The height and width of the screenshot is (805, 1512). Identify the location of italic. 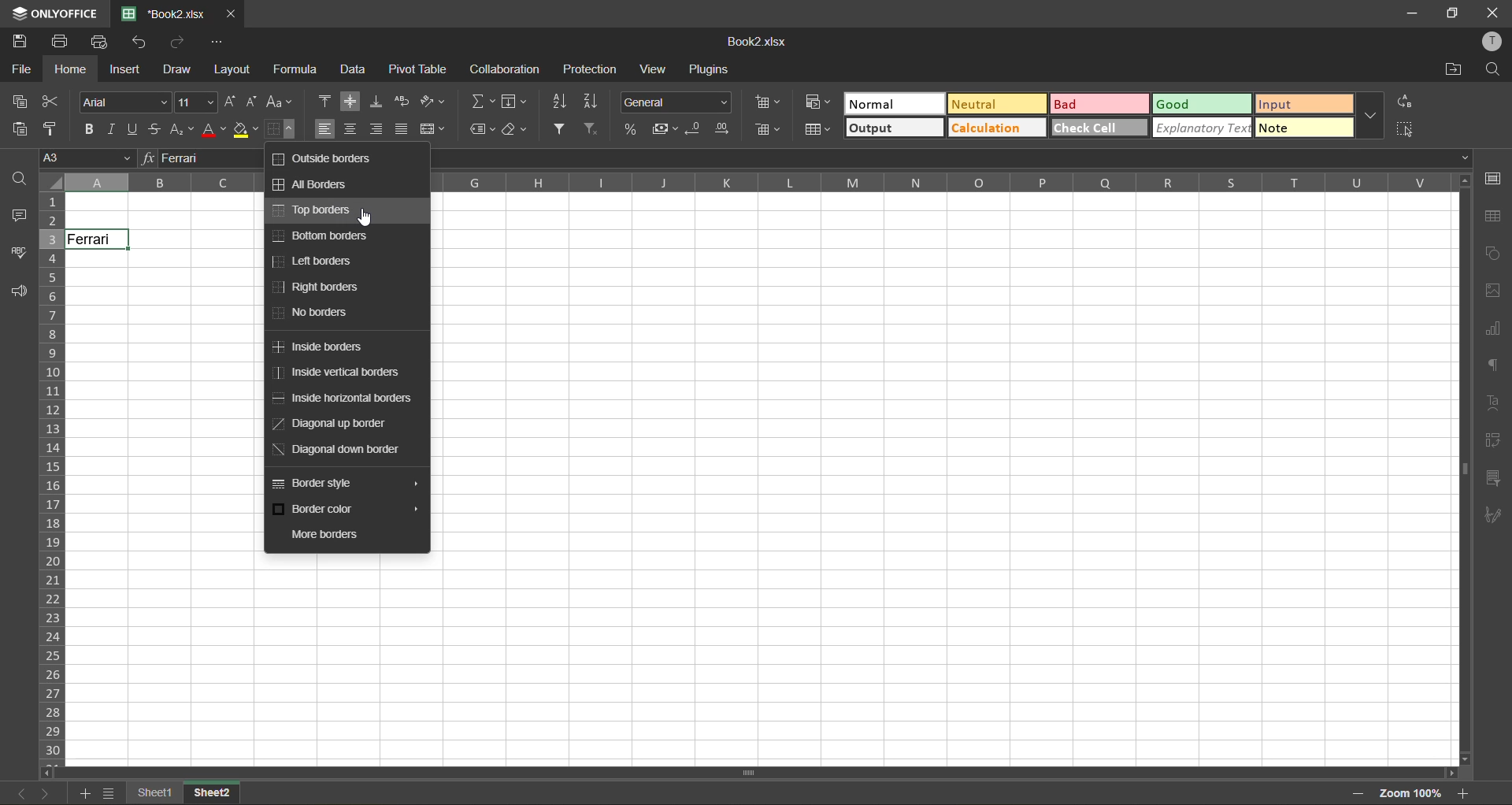
(113, 126).